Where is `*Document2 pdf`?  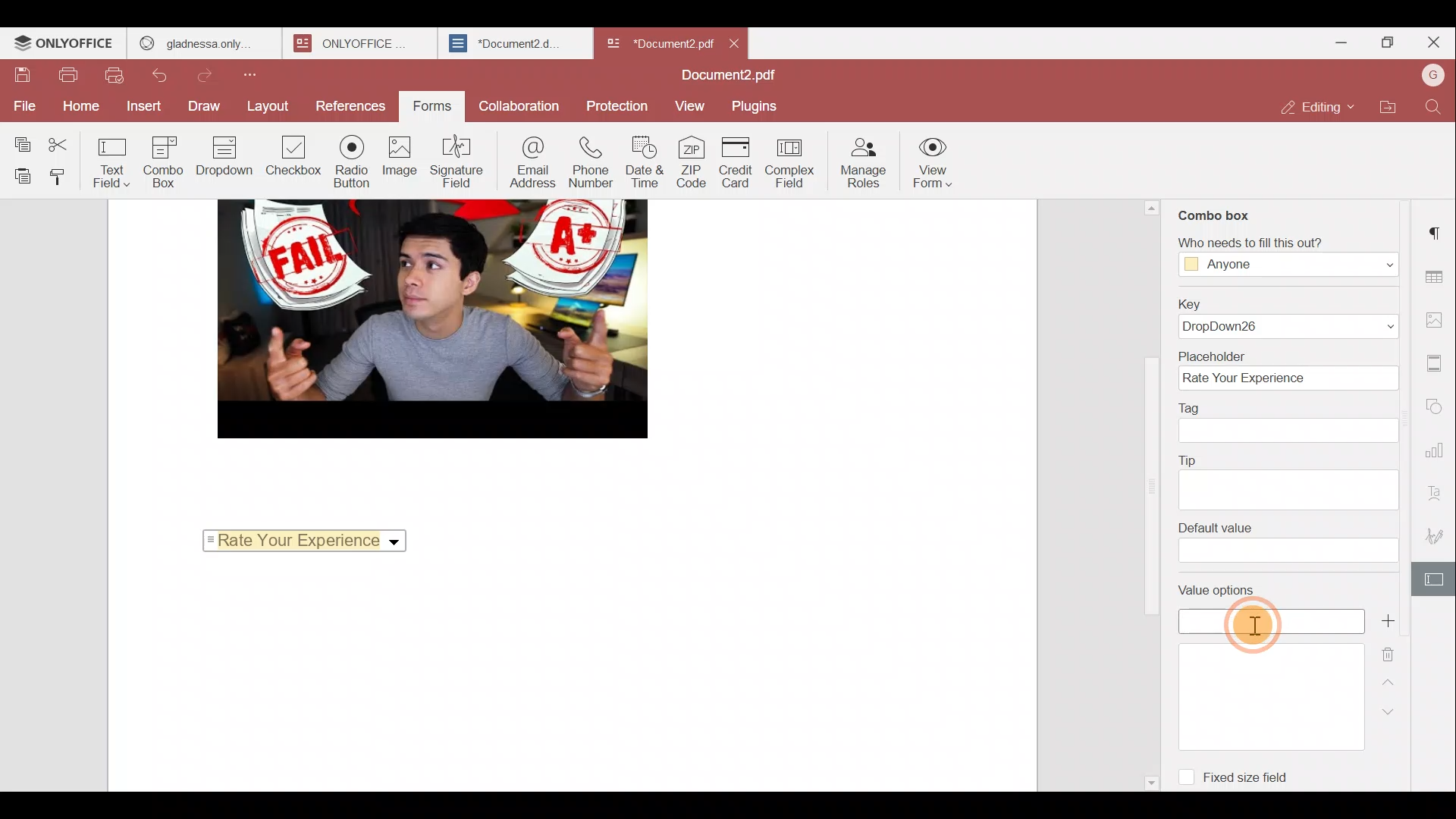 *Document2 pdf is located at coordinates (658, 42).